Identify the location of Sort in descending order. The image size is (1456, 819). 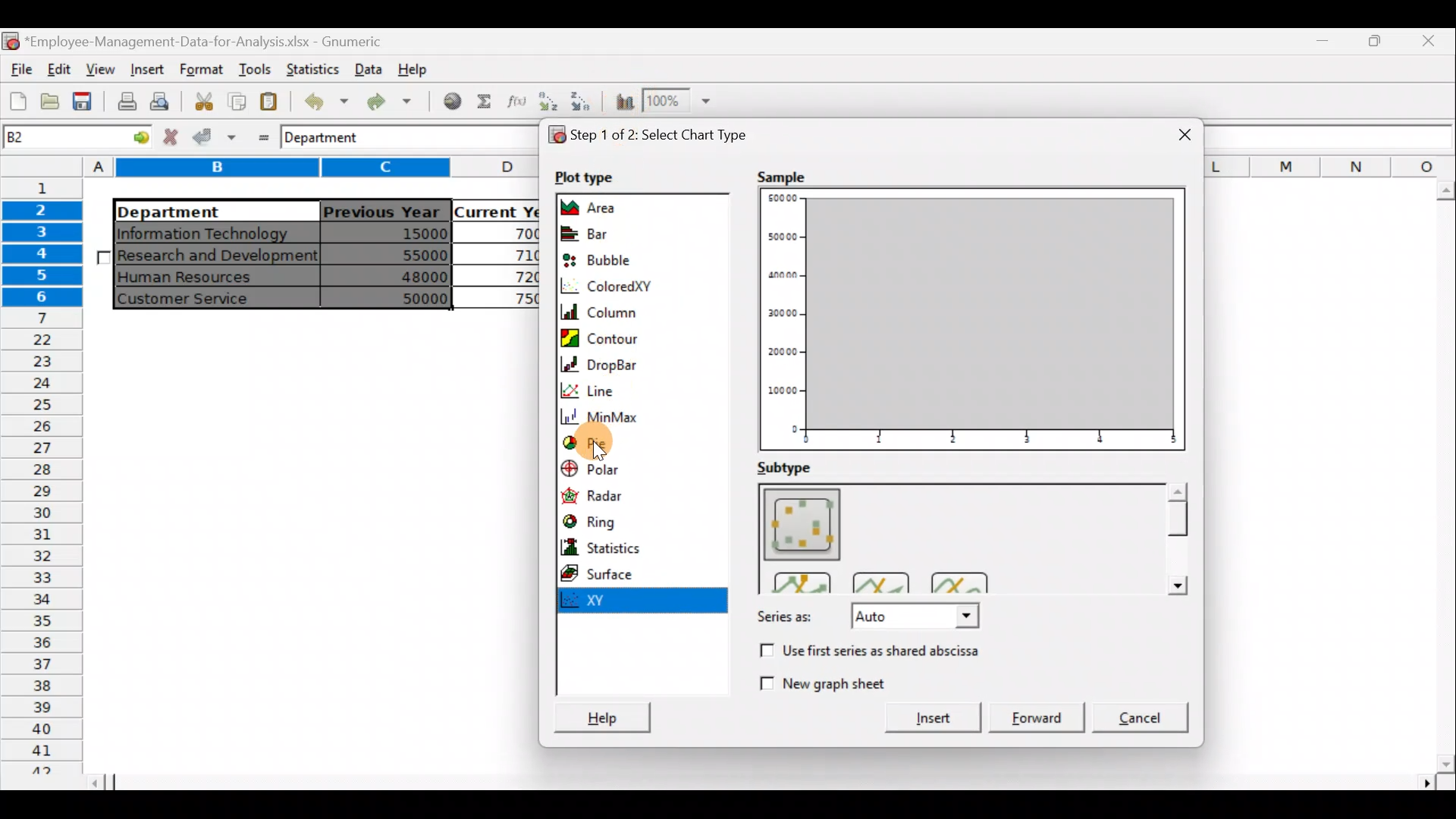
(585, 104).